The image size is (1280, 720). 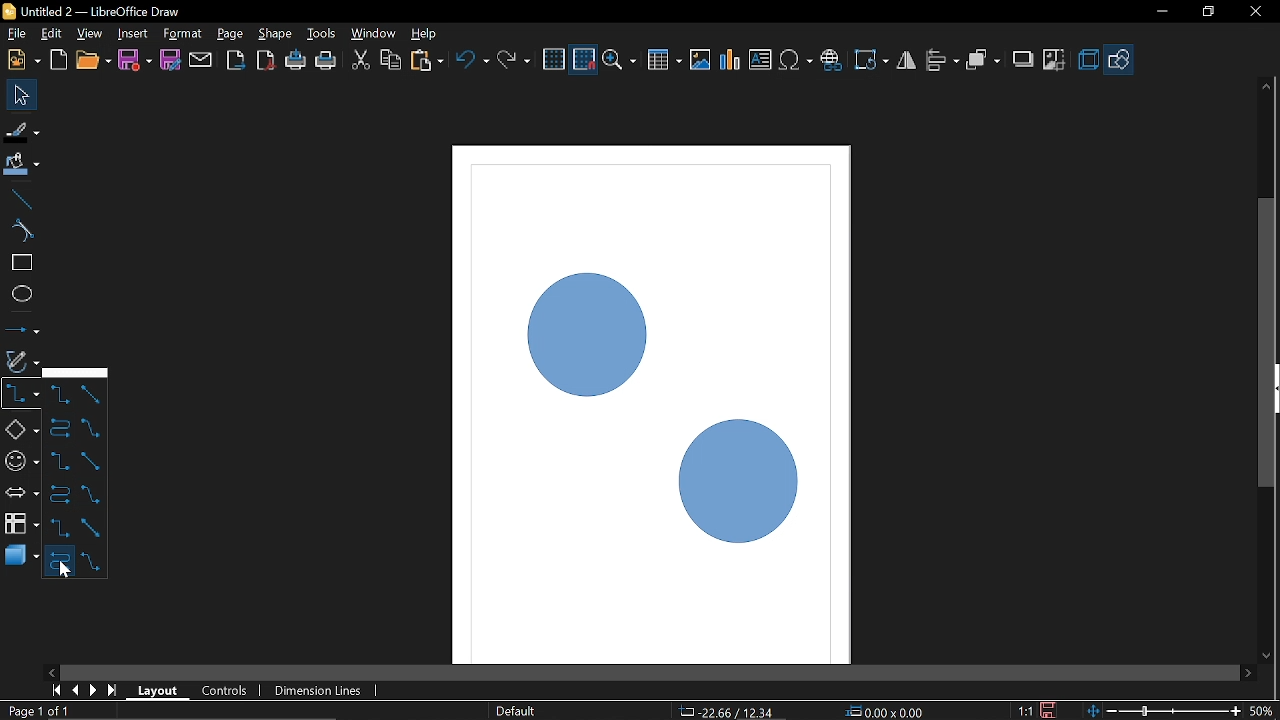 What do you see at coordinates (20, 169) in the screenshot?
I see `Fill color` at bounding box center [20, 169].